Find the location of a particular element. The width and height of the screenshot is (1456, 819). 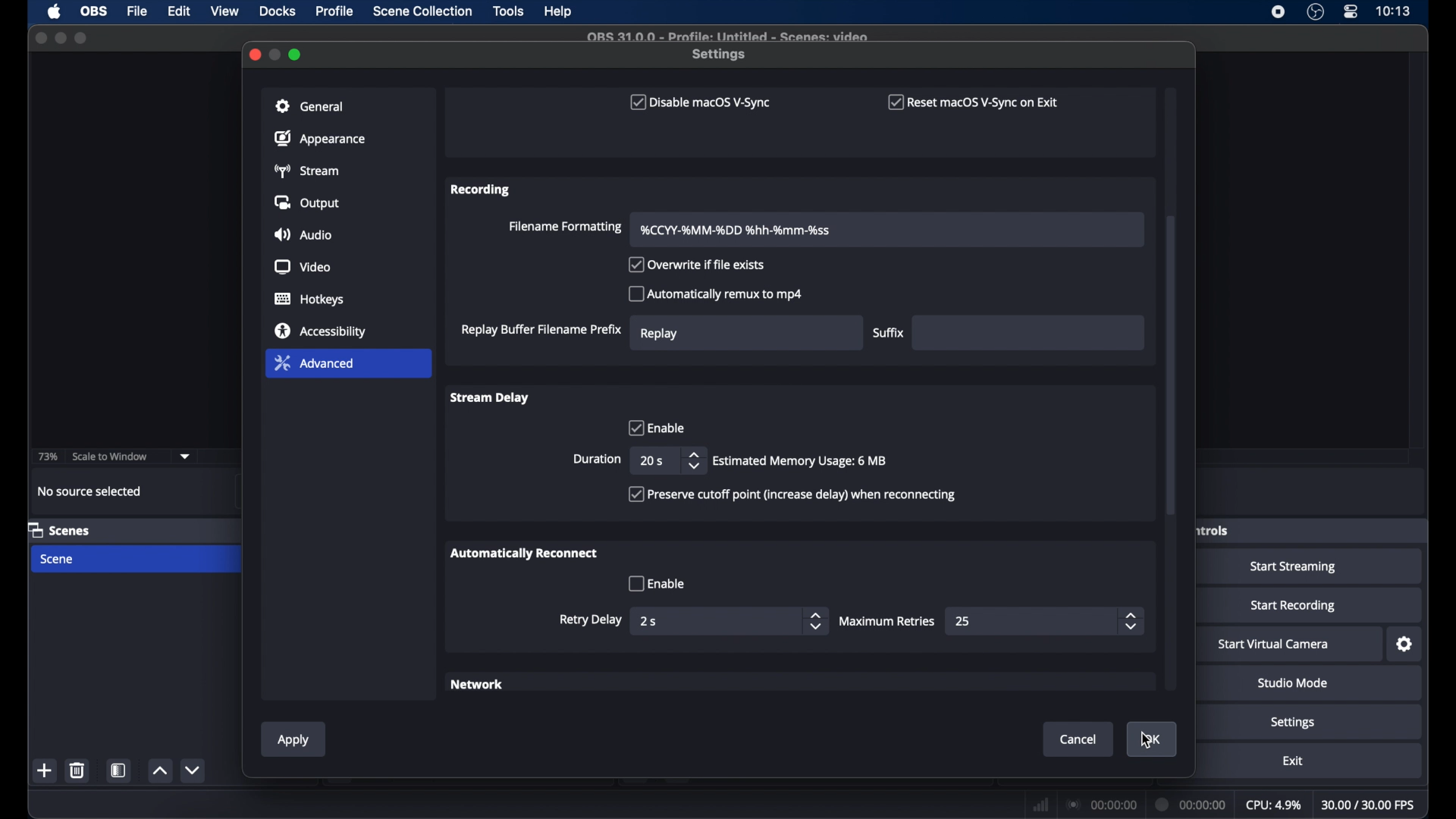

cursor is located at coordinates (1147, 742).